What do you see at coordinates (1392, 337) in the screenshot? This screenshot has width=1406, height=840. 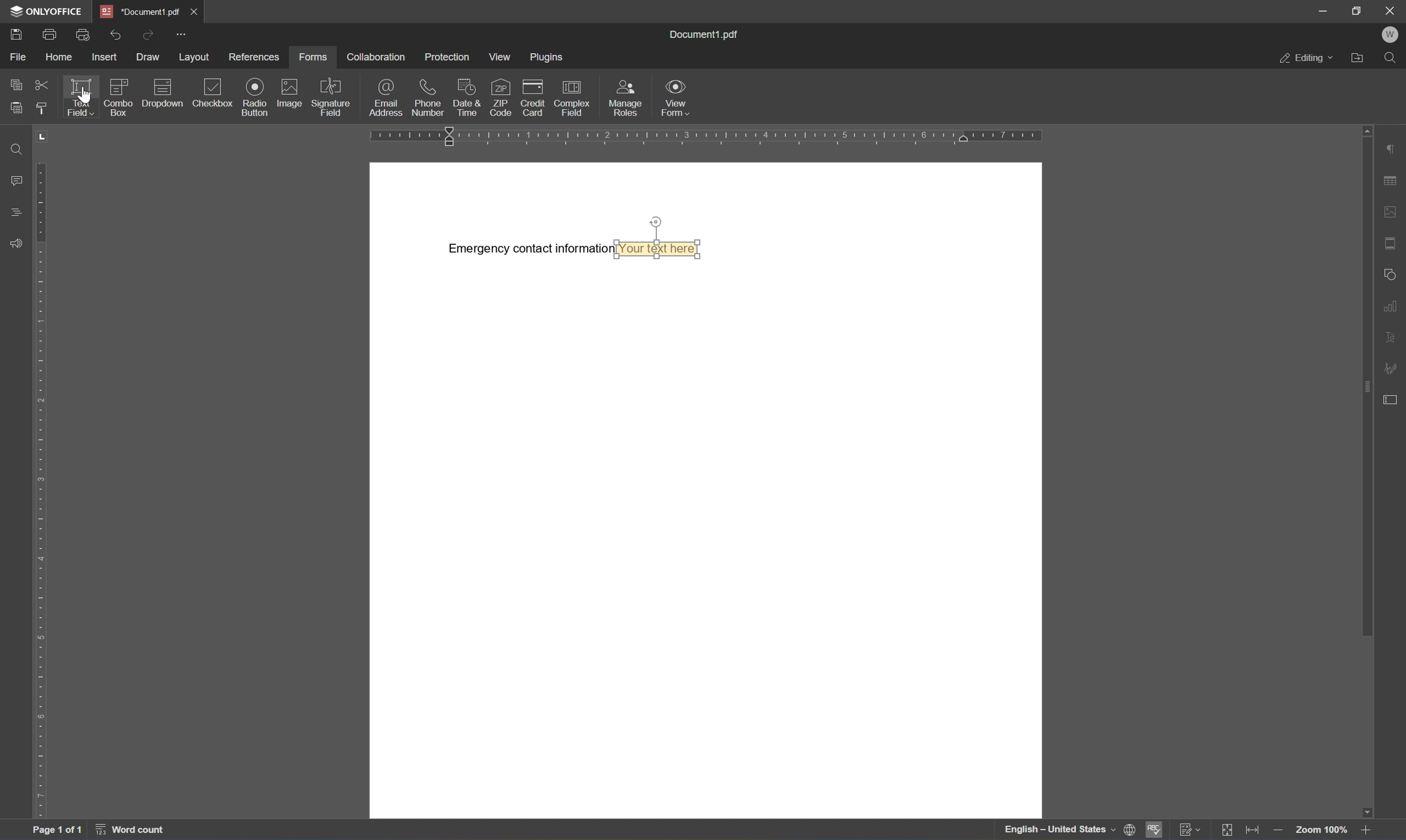 I see `text art settings` at bounding box center [1392, 337].